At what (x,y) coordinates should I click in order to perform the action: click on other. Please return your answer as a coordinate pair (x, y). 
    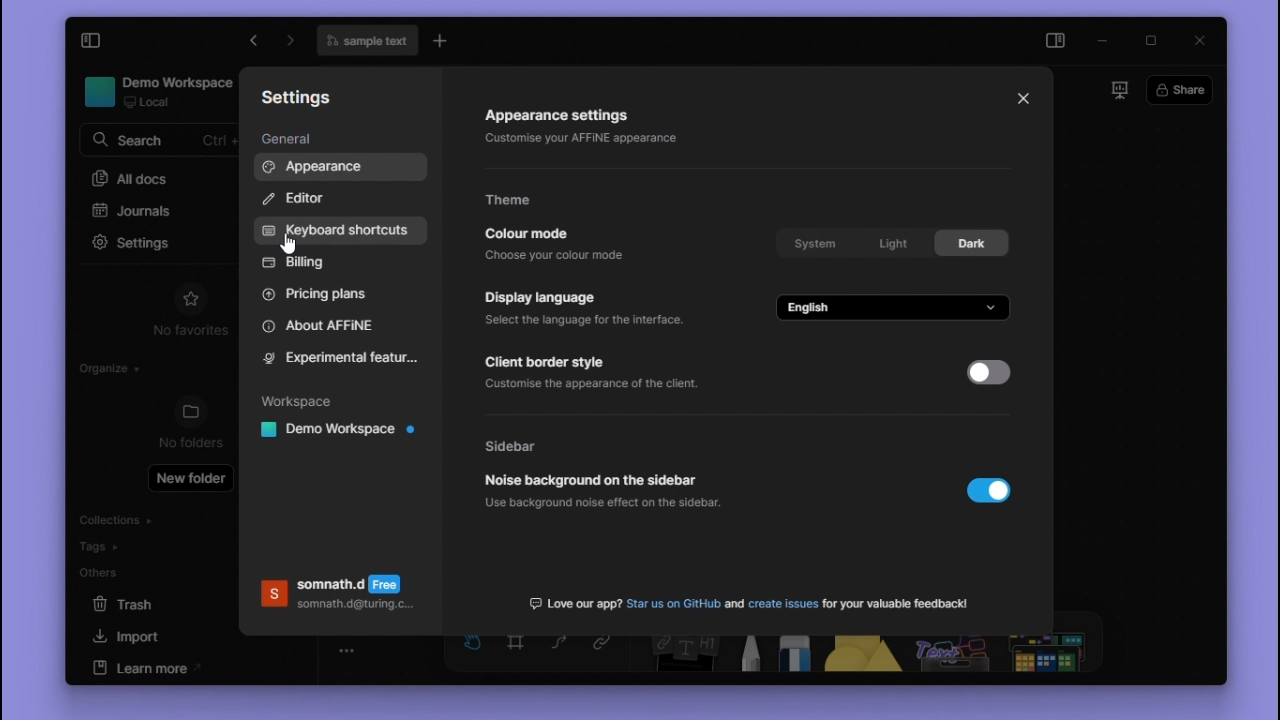
    Looking at the image, I should click on (949, 656).